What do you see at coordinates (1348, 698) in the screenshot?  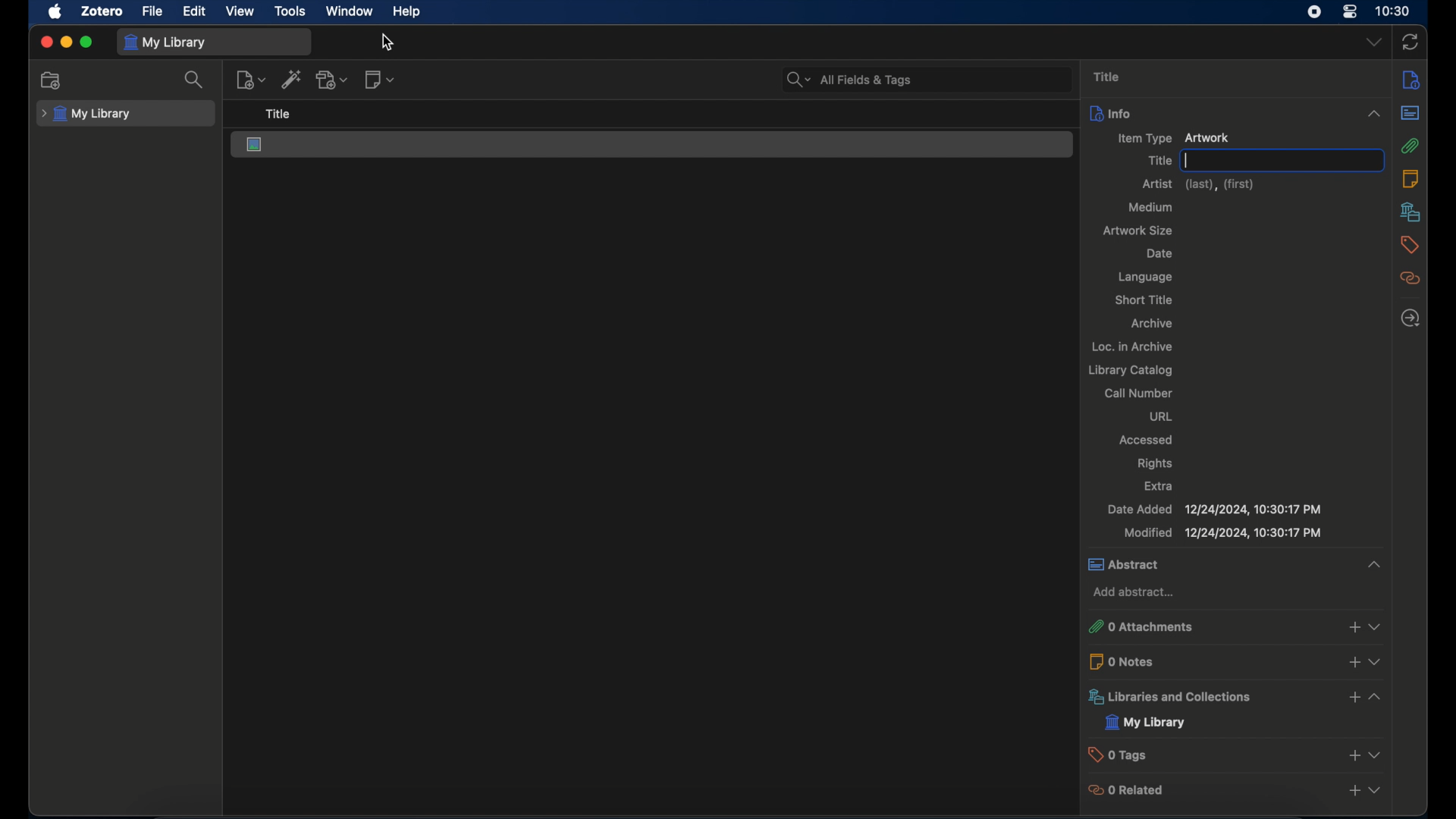 I see `add` at bounding box center [1348, 698].